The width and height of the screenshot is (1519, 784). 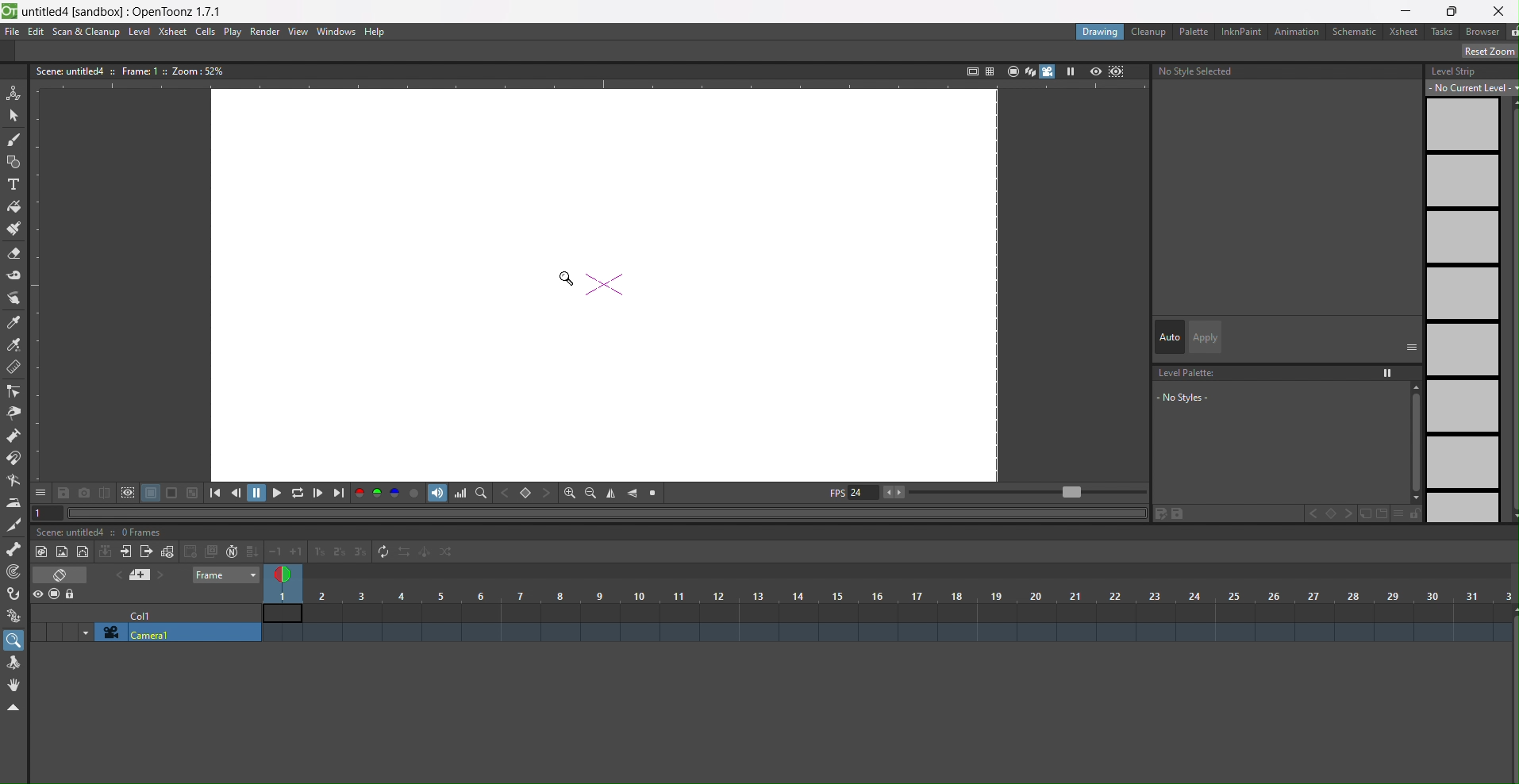 I want to click on icon, so click(x=62, y=576).